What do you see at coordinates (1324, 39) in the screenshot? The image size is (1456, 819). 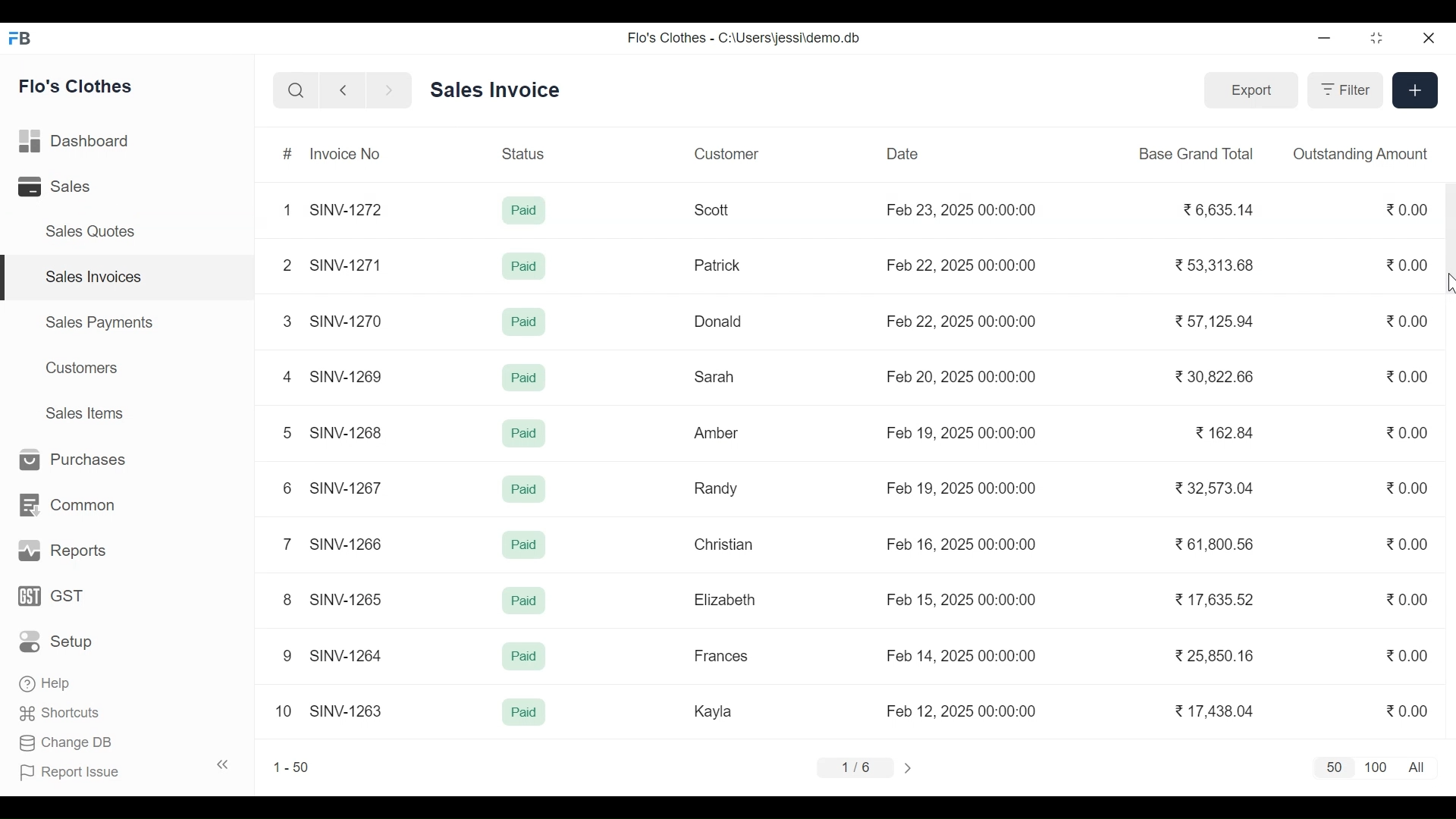 I see `Minimize` at bounding box center [1324, 39].